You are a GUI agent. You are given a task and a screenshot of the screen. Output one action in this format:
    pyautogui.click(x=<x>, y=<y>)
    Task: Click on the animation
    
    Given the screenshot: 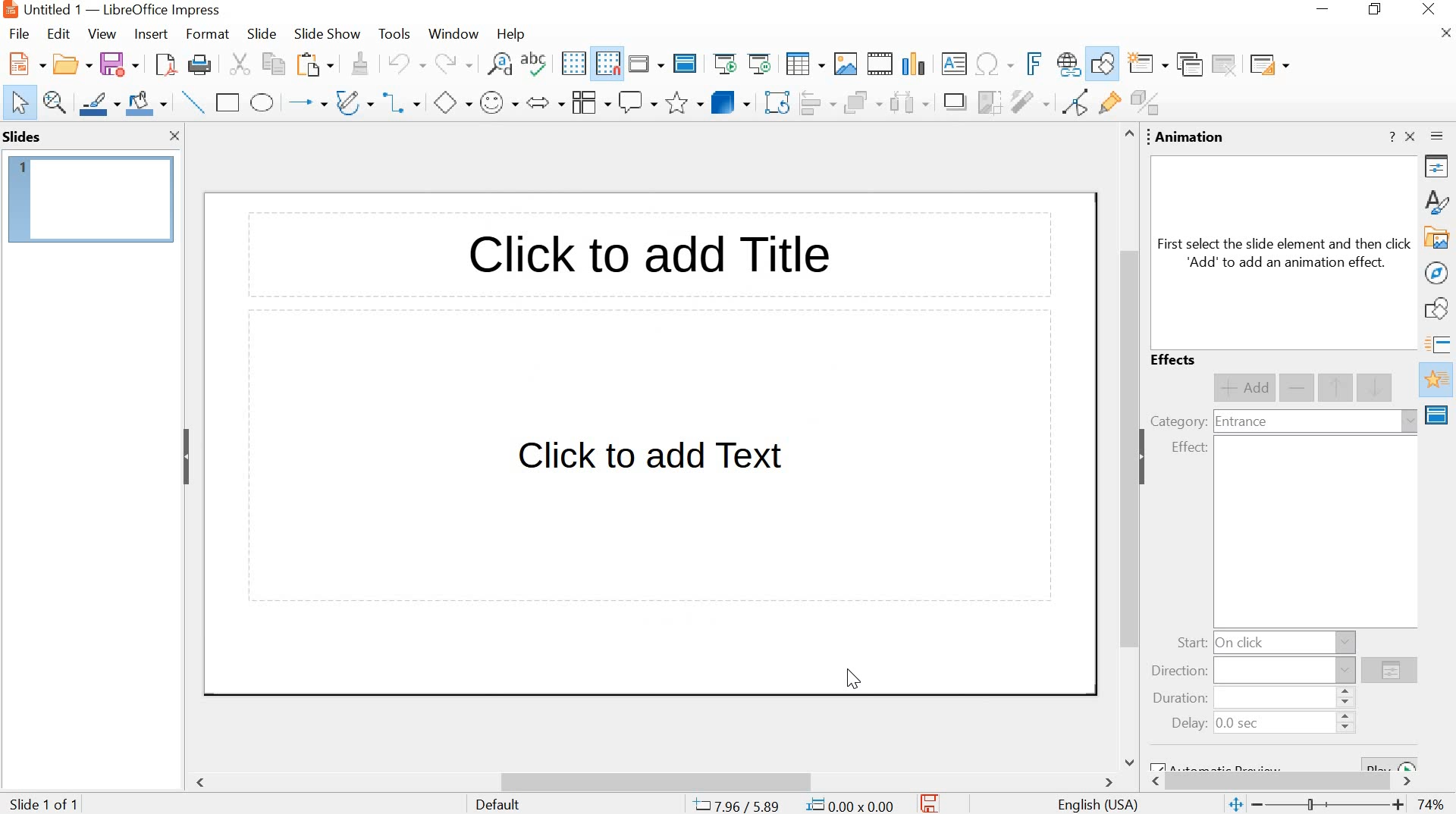 What is the action you would take?
    pyautogui.click(x=1191, y=138)
    